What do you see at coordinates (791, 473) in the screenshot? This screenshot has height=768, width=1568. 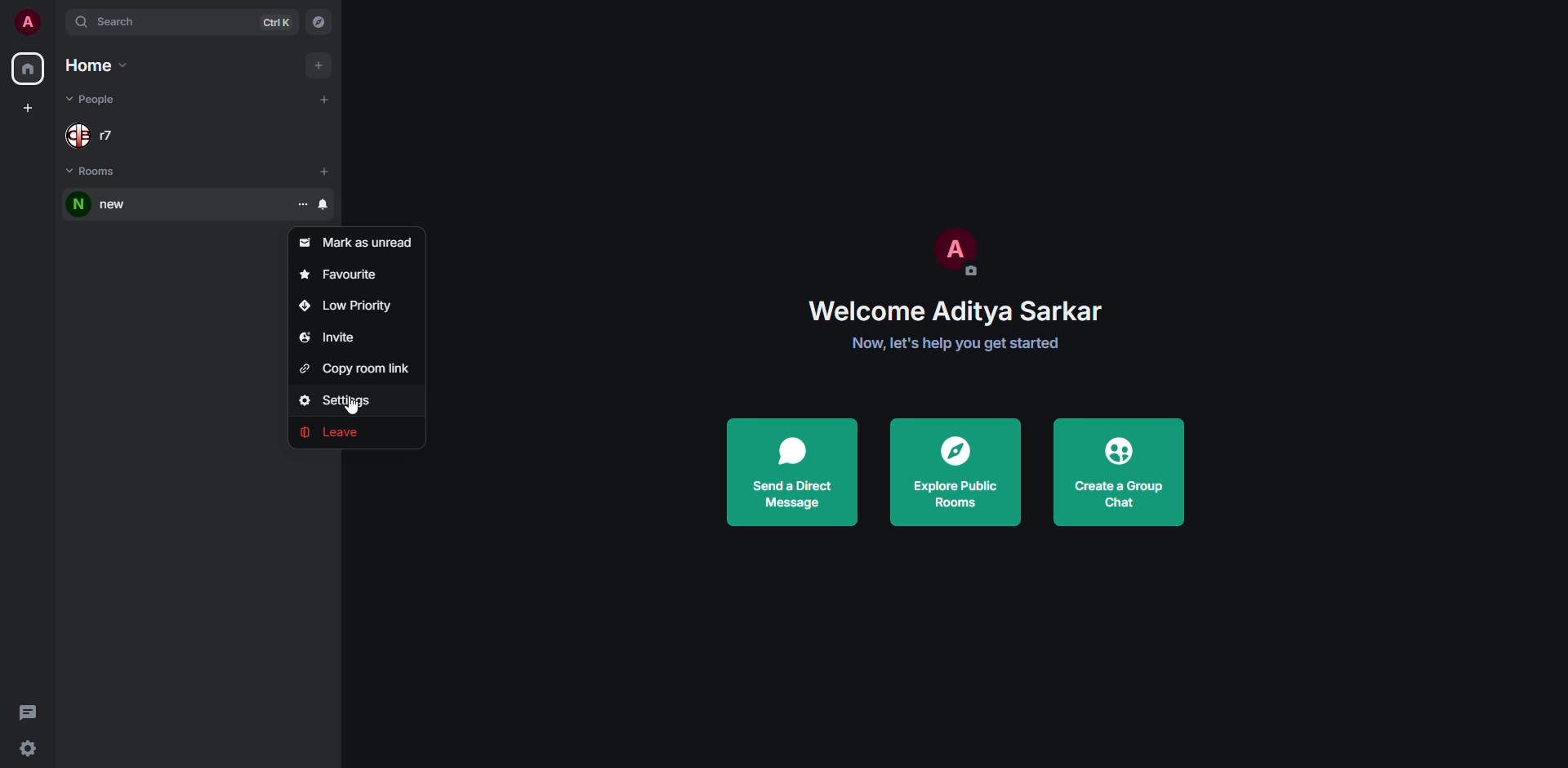 I see `send direct message` at bounding box center [791, 473].